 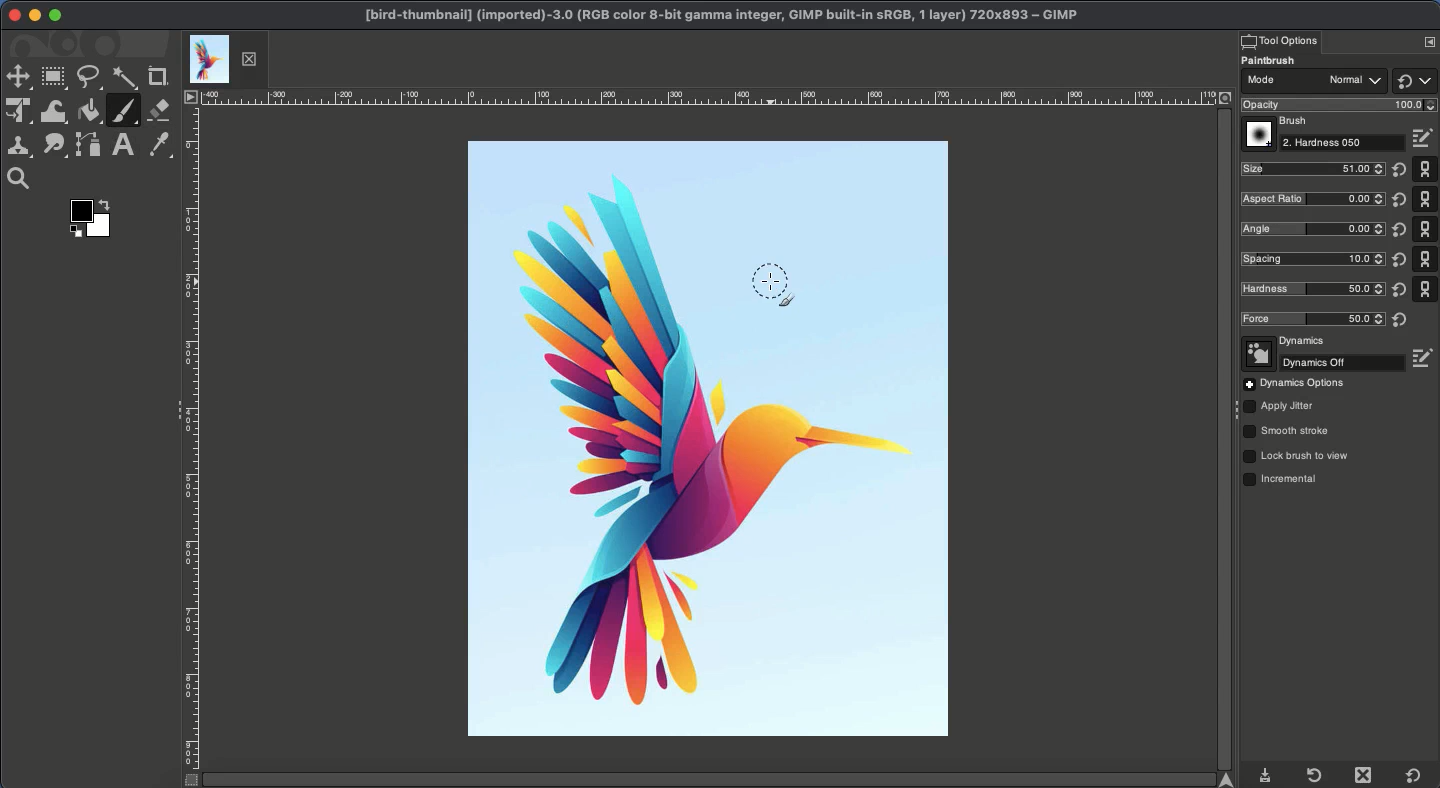 What do you see at coordinates (157, 145) in the screenshot?
I see `Color picker` at bounding box center [157, 145].